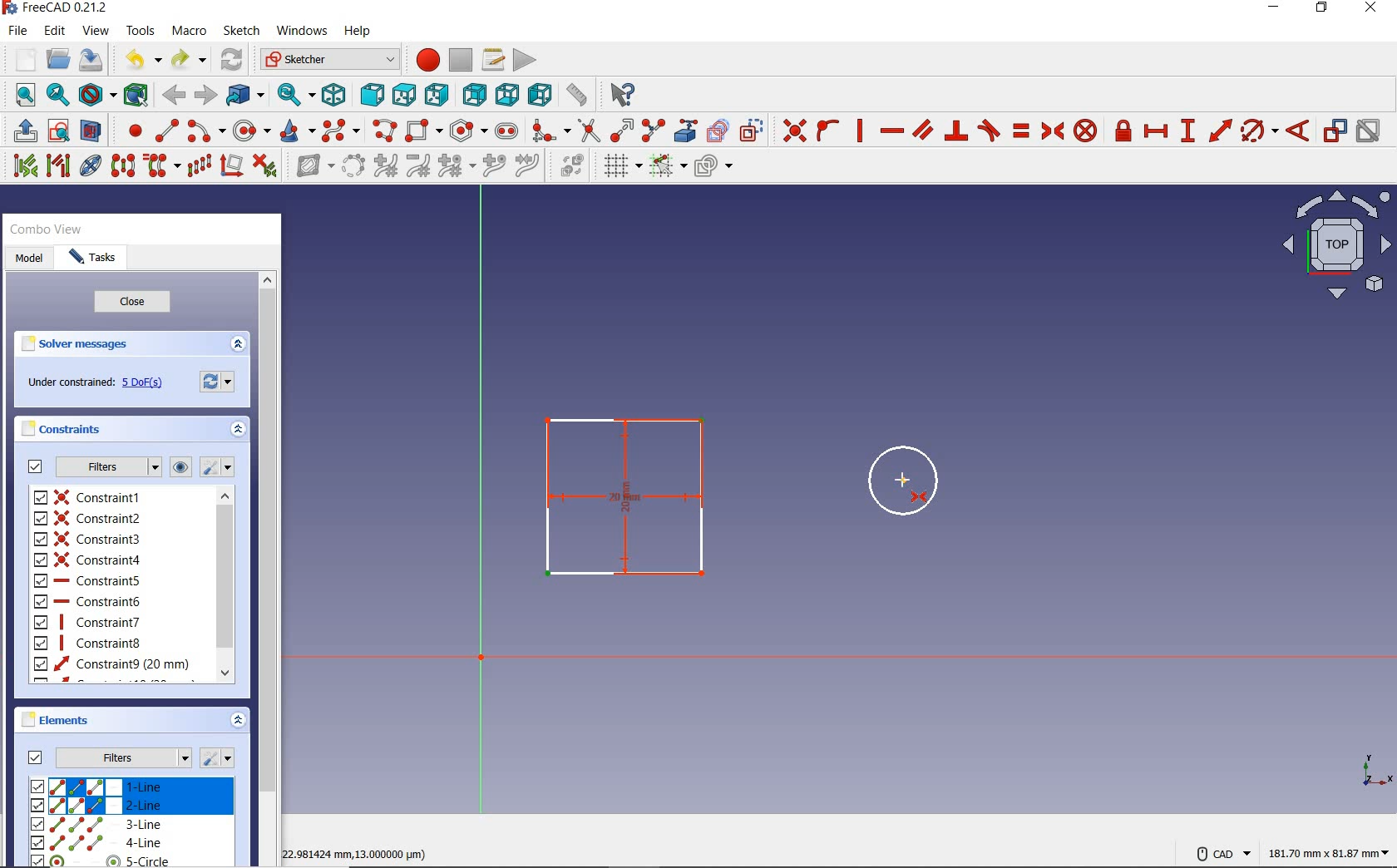 The width and height of the screenshot is (1397, 868). Describe the element at coordinates (622, 94) in the screenshot. I see `what's this` at that location.